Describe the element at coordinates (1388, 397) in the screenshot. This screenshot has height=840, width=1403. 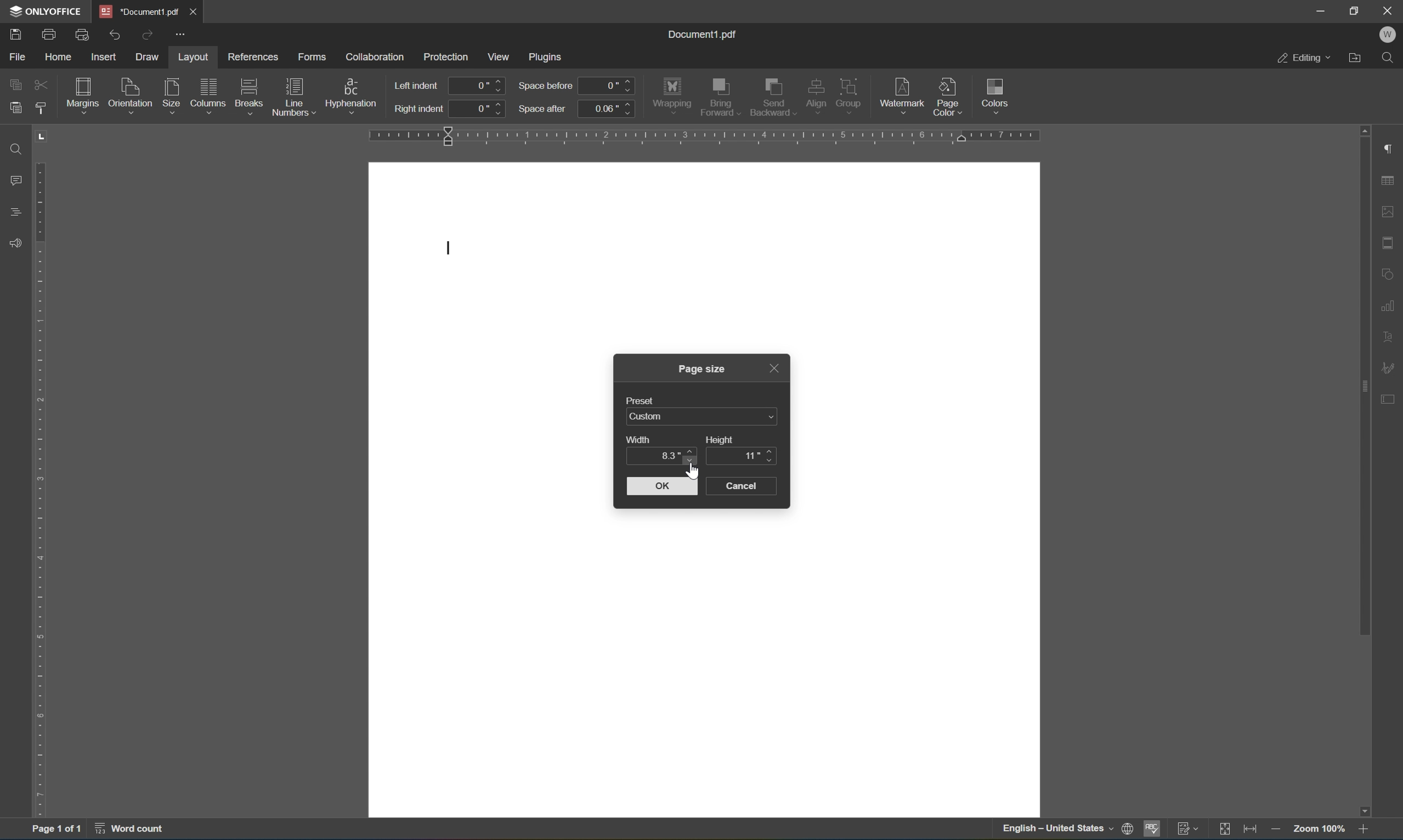
I see `Form settings` at that location.